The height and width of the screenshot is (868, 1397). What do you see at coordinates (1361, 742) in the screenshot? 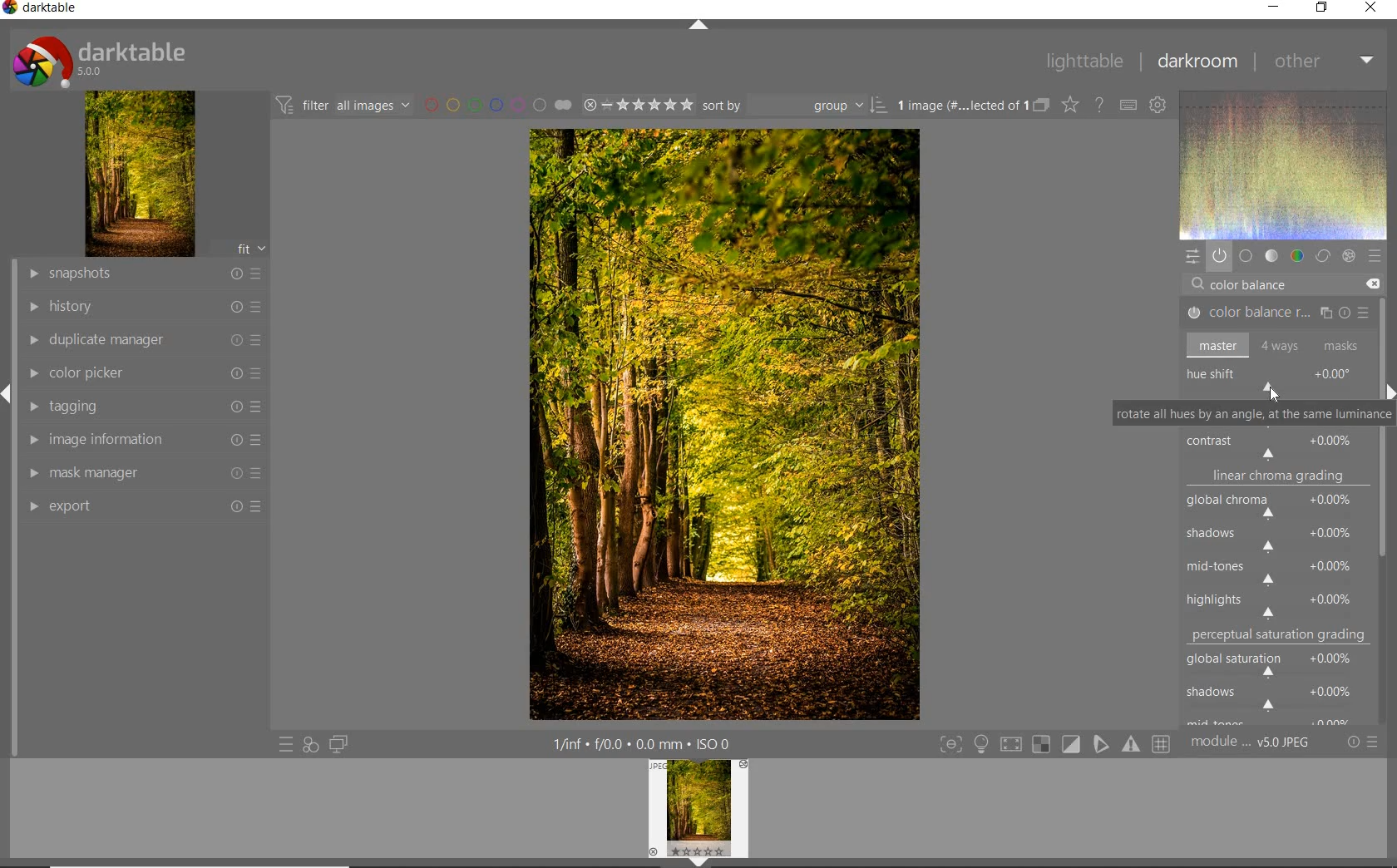
I see `reset or preset & preference` at bounding box center [1361, 742].